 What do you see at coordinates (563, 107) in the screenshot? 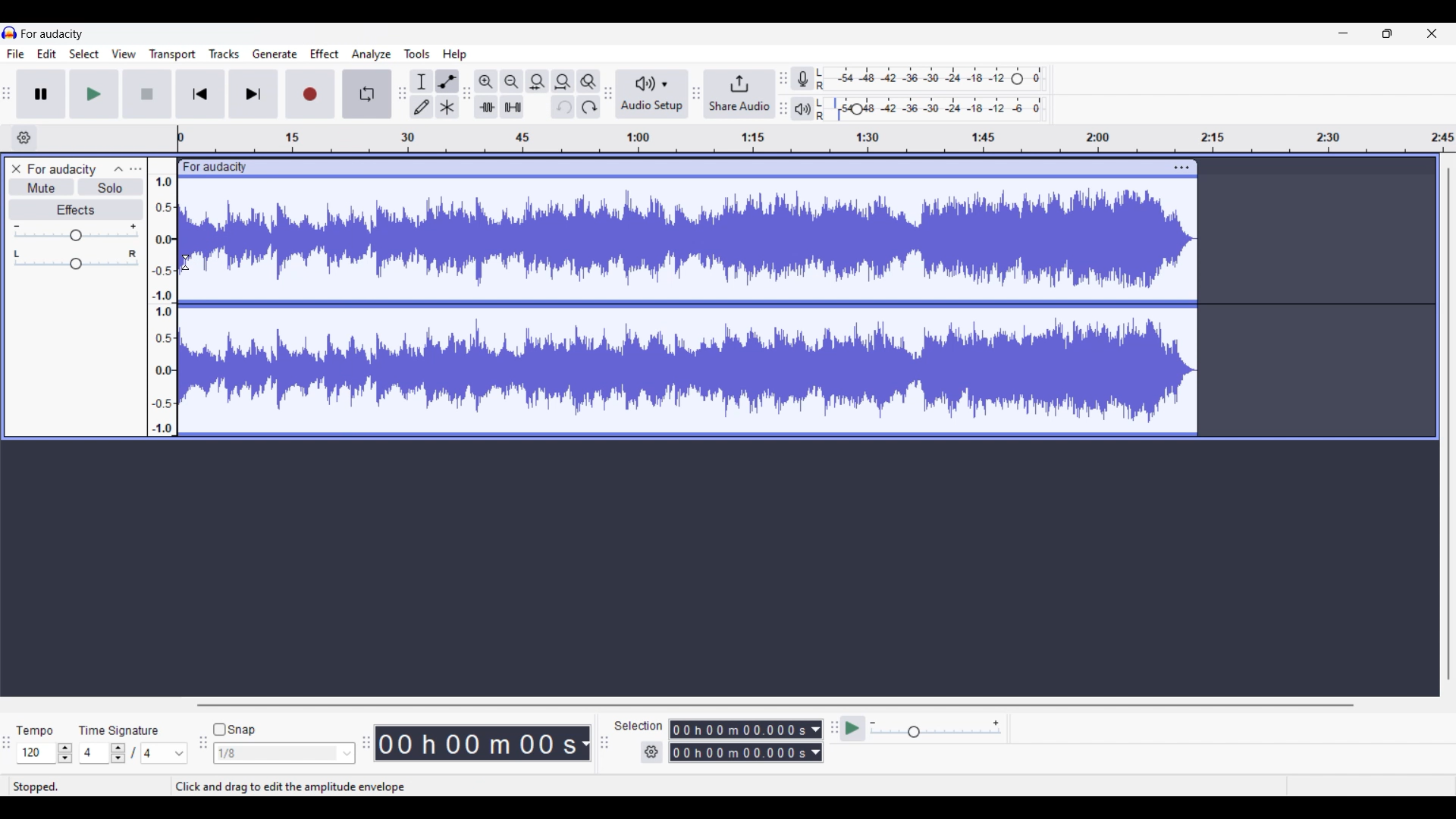
I see `Undo` at bounding box center [563, 107].